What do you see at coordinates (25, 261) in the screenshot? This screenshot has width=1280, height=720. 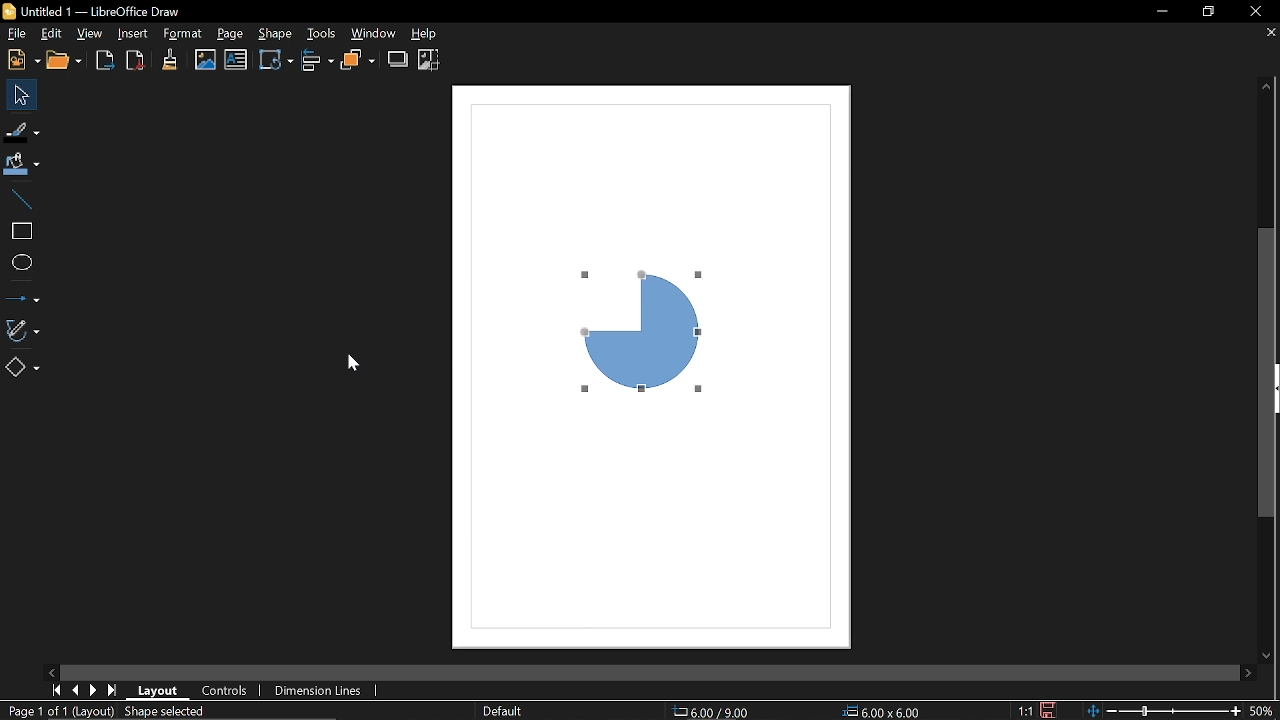 I see `Ellipse` at bounding box center [25, 261].